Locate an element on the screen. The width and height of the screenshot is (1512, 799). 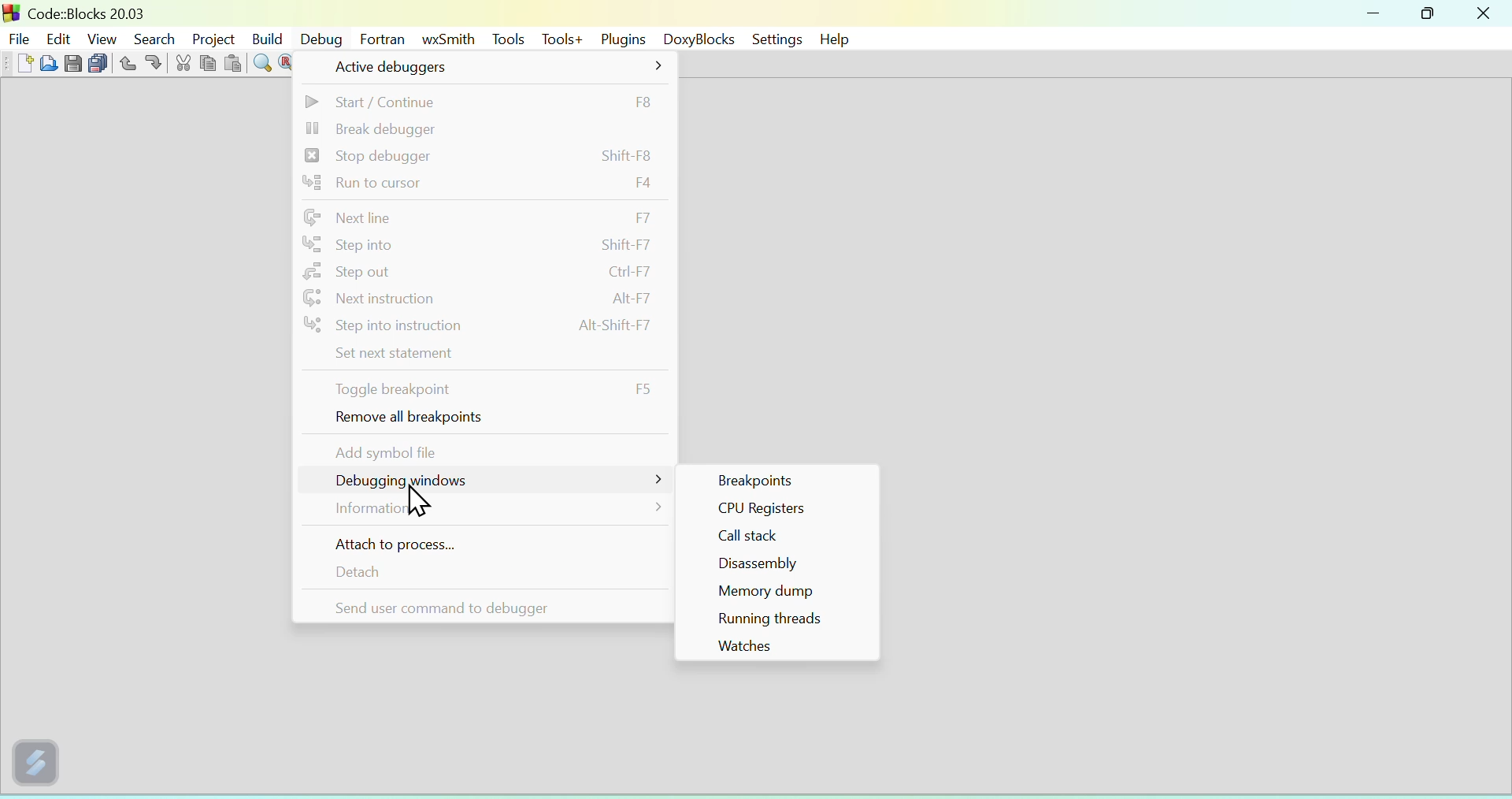
Watches is located at coordinates (776, 647).